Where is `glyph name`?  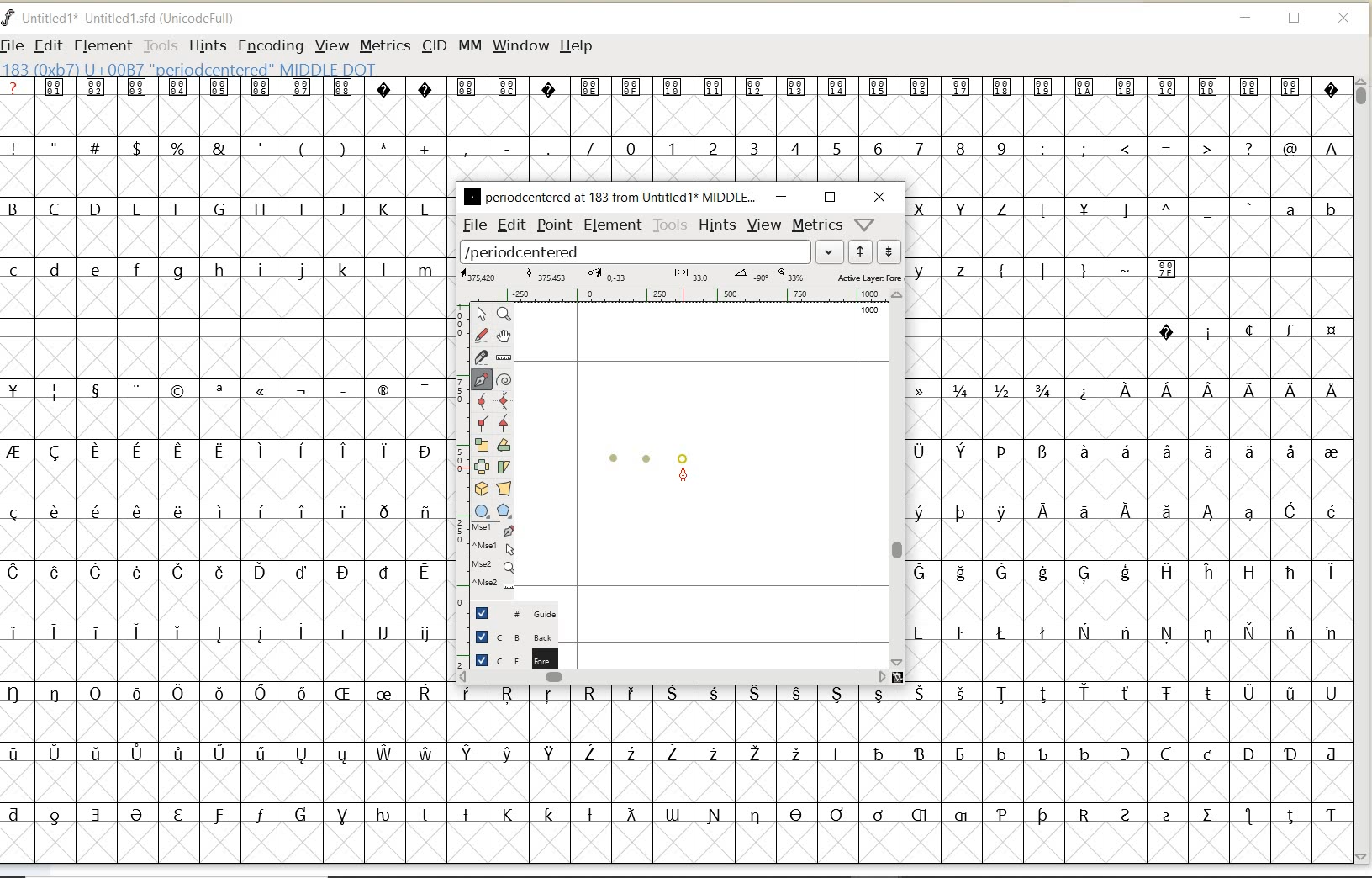
glyph name is located at coordinates (609, 196).